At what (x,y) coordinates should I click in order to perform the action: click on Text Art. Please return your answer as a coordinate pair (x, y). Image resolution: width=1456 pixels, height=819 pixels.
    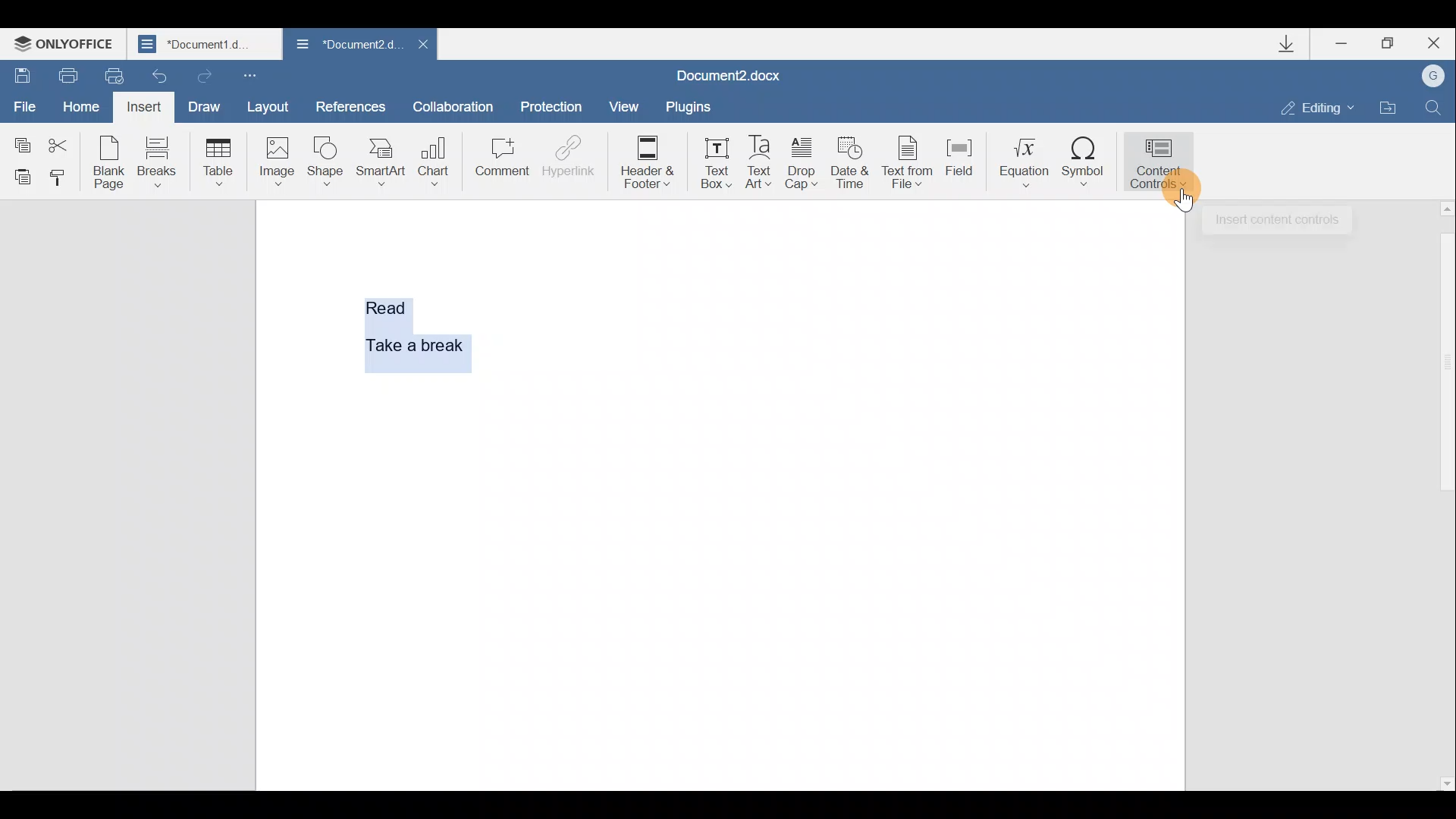
    Looking at the image, I should click on (760, 163).